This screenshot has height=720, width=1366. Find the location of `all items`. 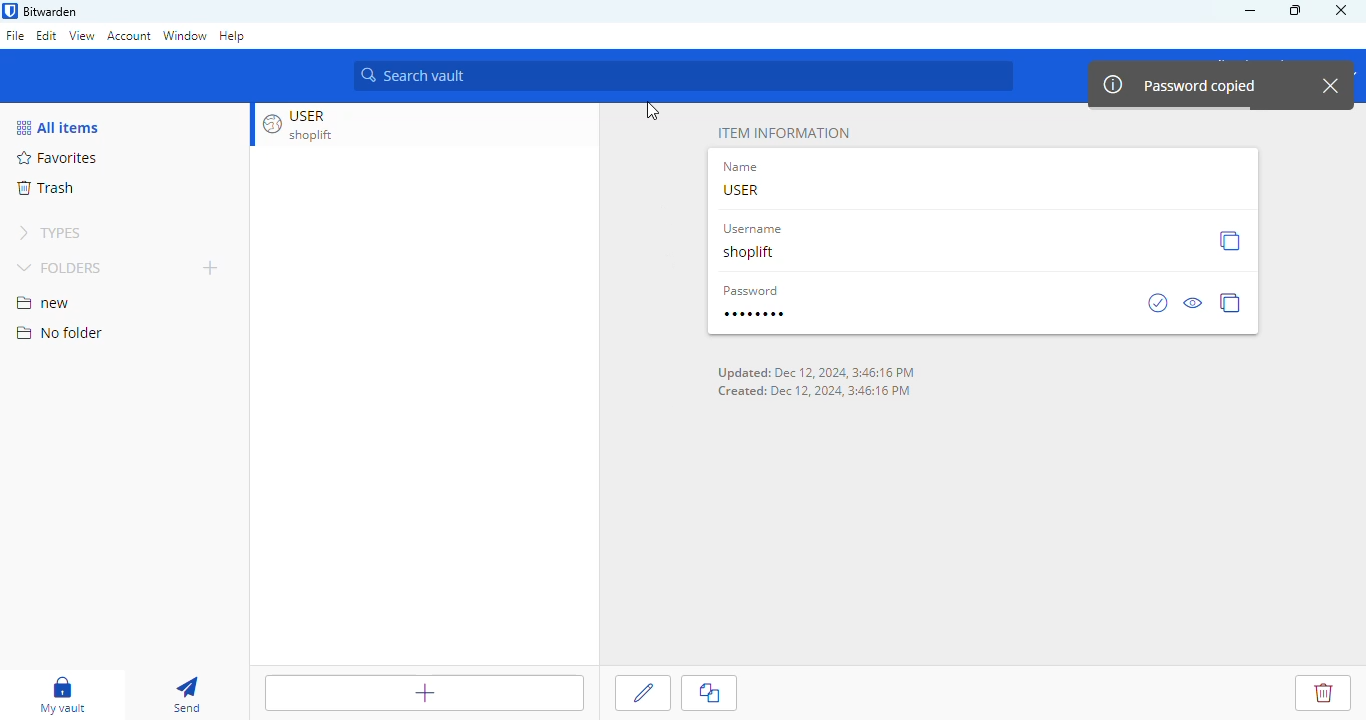

all items is located at coordinates (59, 128).